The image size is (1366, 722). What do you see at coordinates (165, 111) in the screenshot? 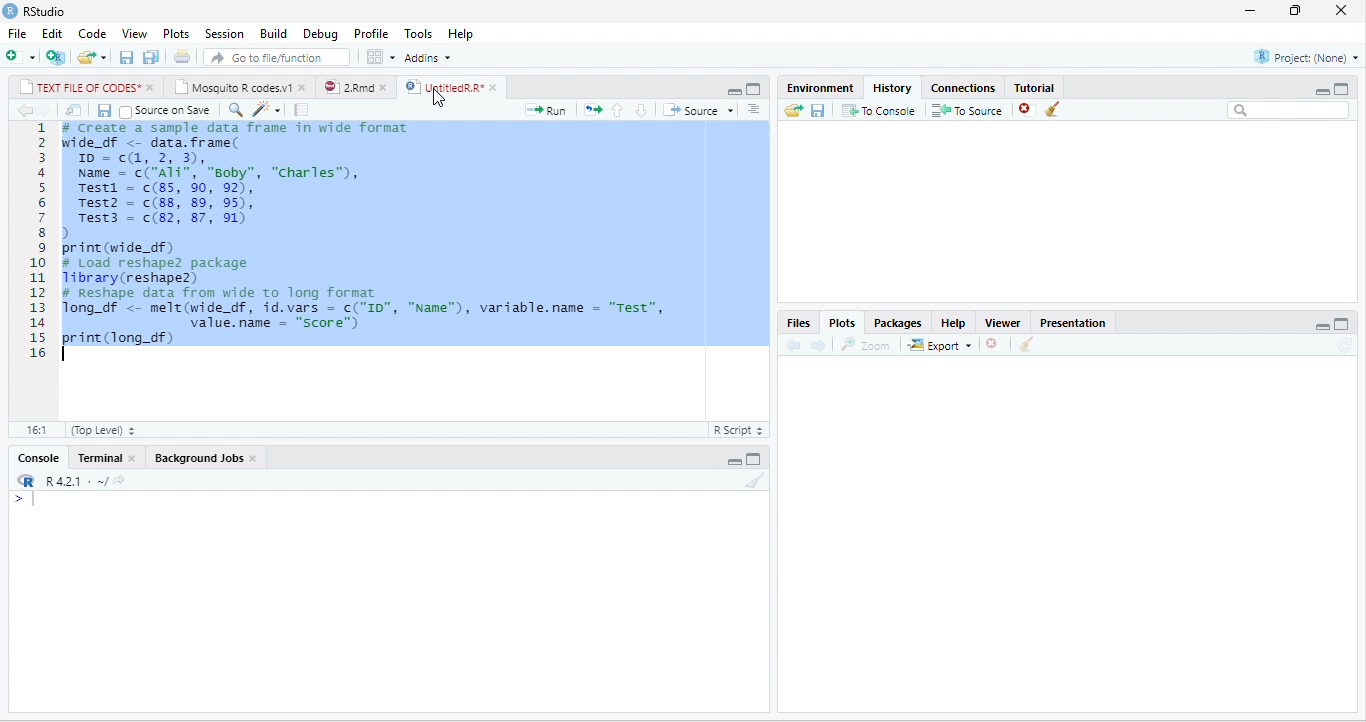
I see `Source on Save` at bounding box center [165, 111].